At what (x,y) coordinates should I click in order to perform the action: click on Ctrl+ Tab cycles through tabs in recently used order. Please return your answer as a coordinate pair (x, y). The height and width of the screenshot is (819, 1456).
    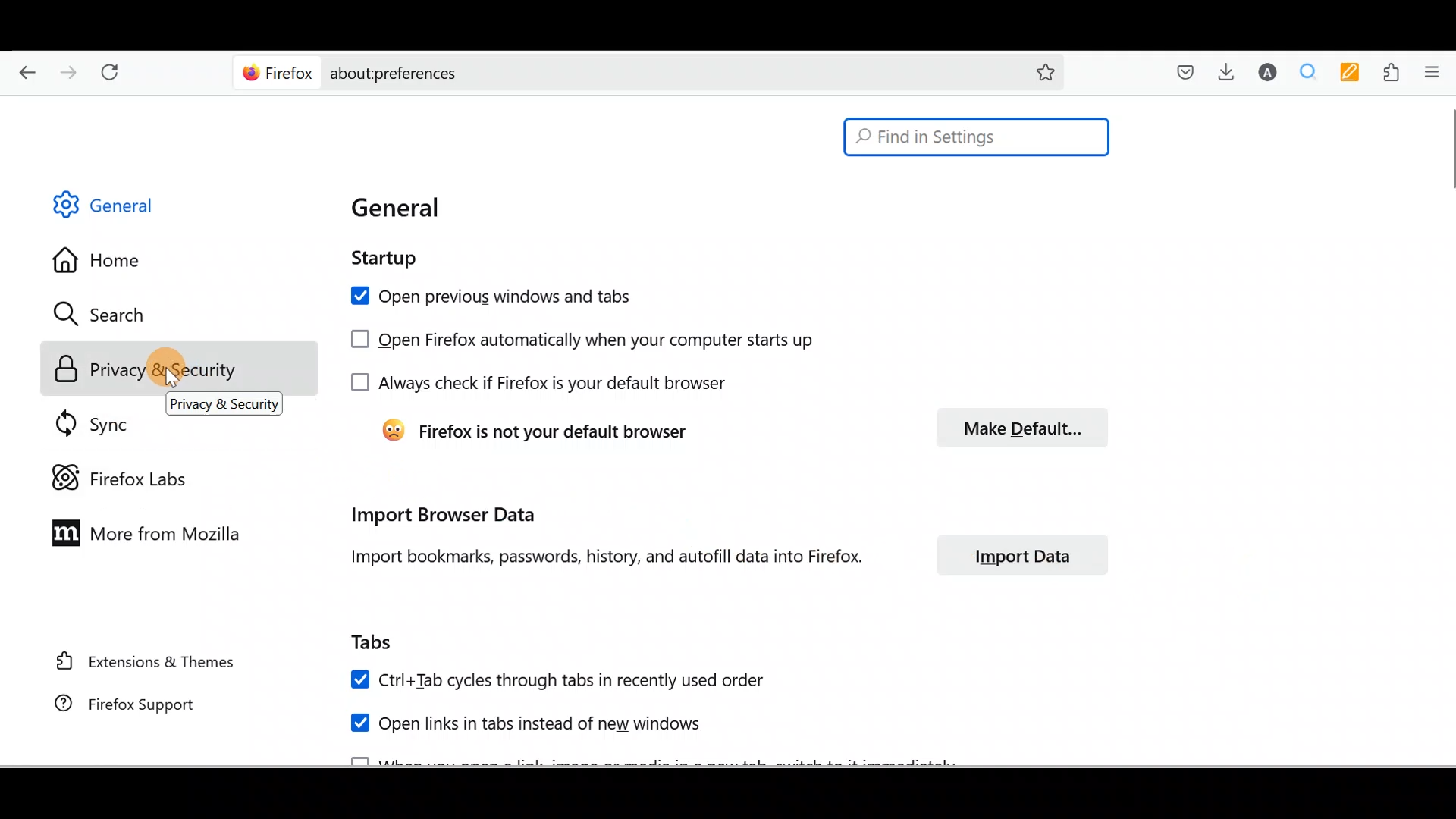
    Looking at the image, I should click on (566, 679).